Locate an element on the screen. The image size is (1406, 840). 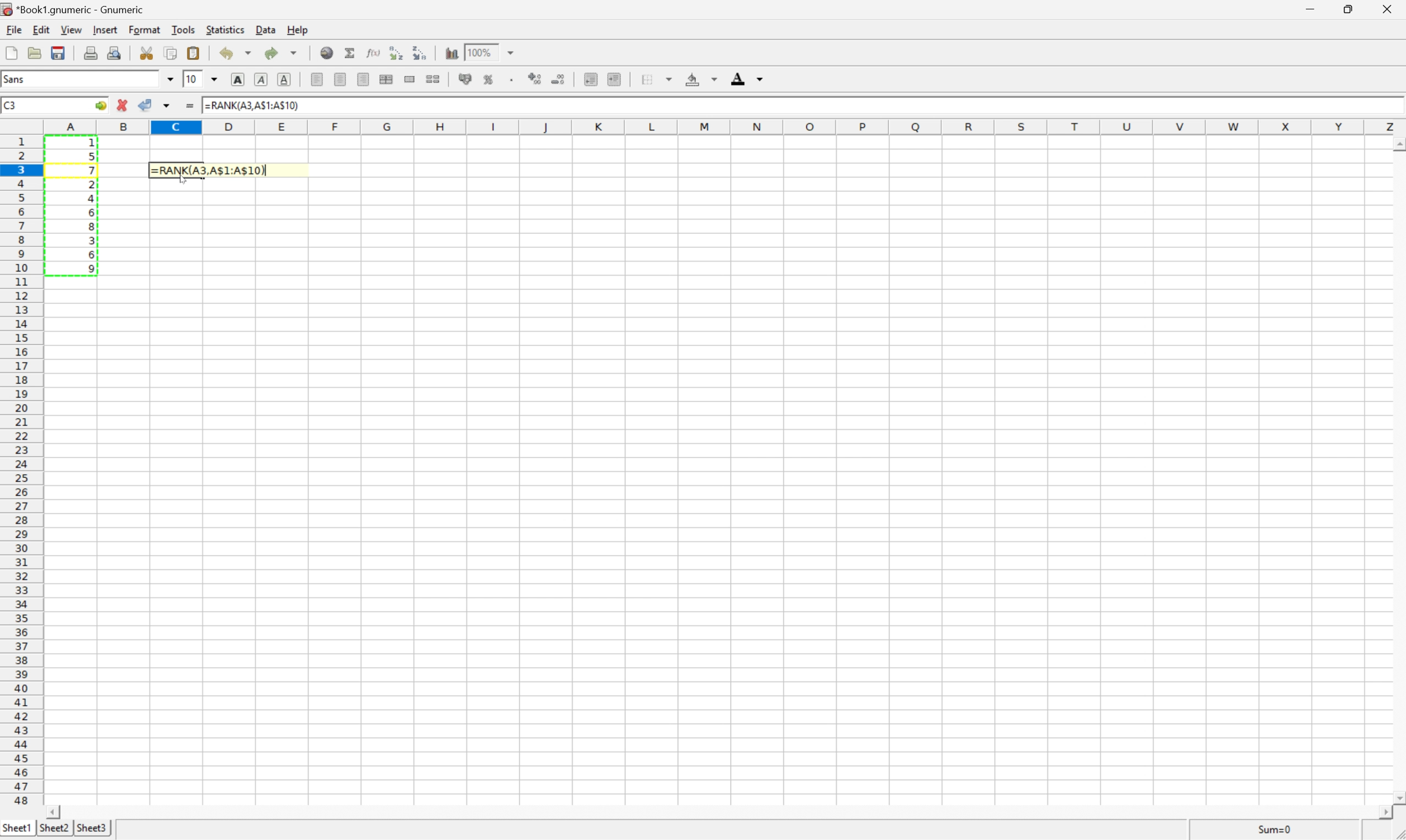
undo is located at coordinates (233, 53).